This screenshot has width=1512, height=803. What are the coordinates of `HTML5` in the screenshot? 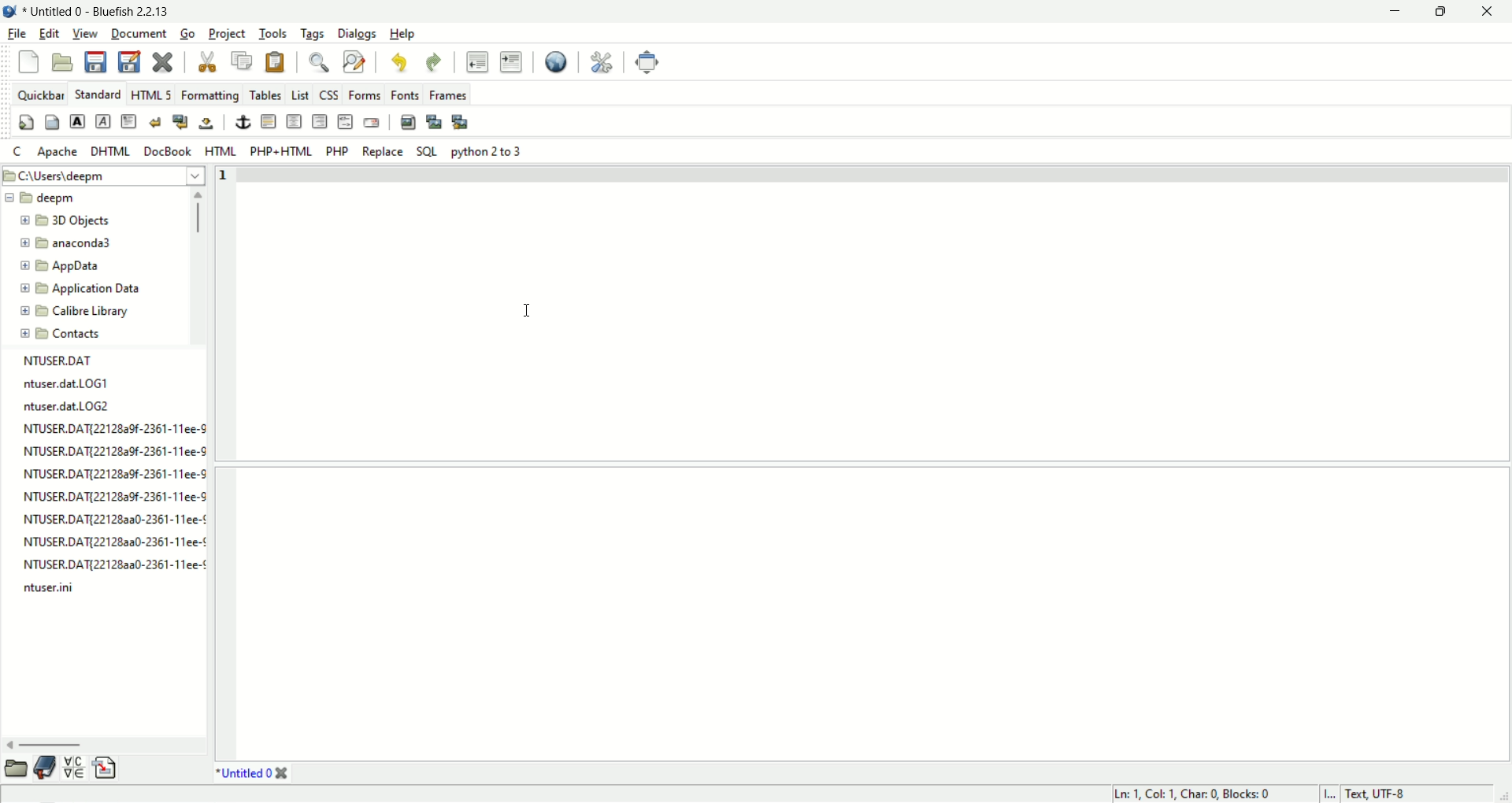 It's located at (151, 95).